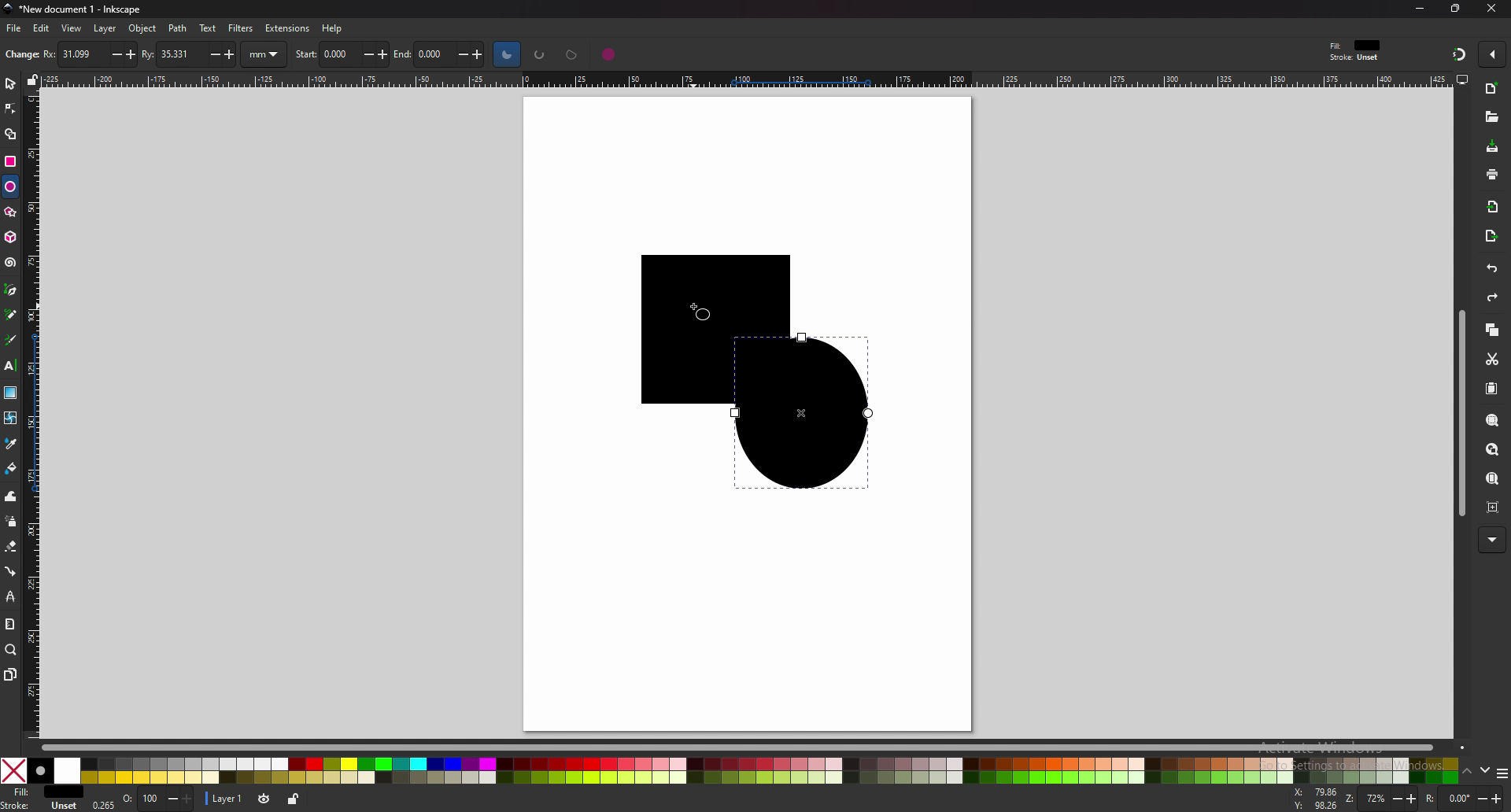 The width and height of the screenshot is (1511, 812). Describe the element at coordinates (35, 413) in the screenshot. I see `vertical ruler` at that location.